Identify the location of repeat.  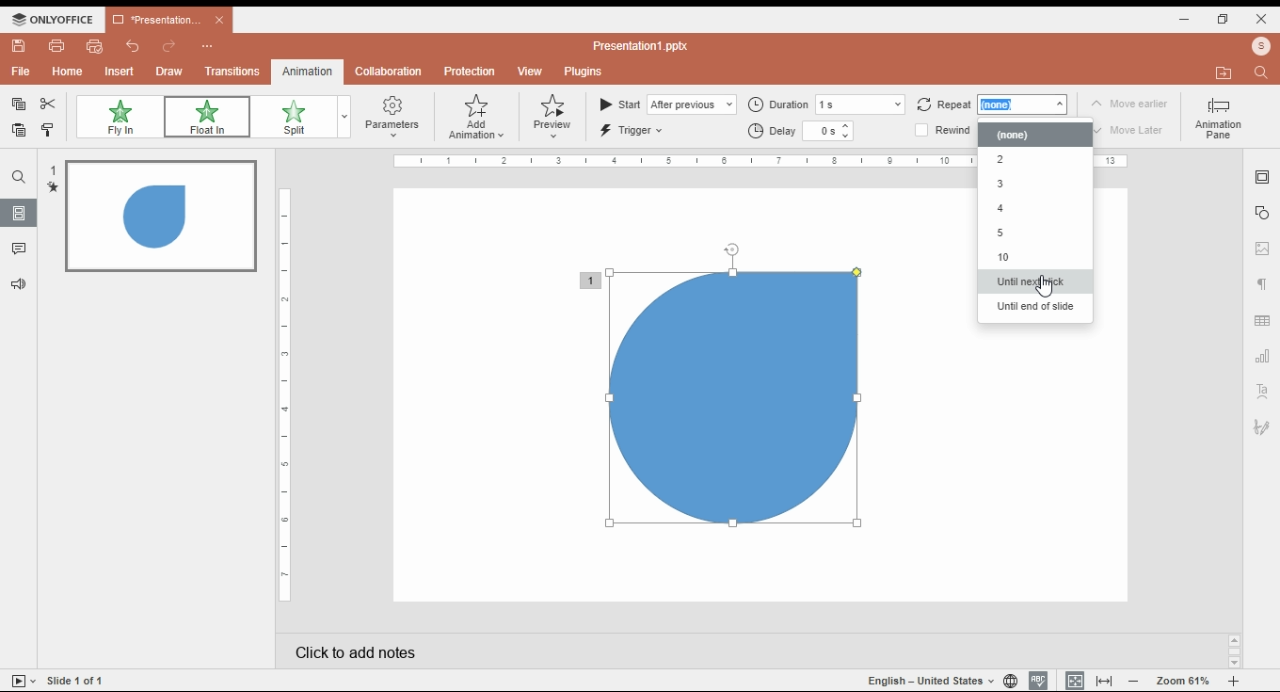
(995, 104).